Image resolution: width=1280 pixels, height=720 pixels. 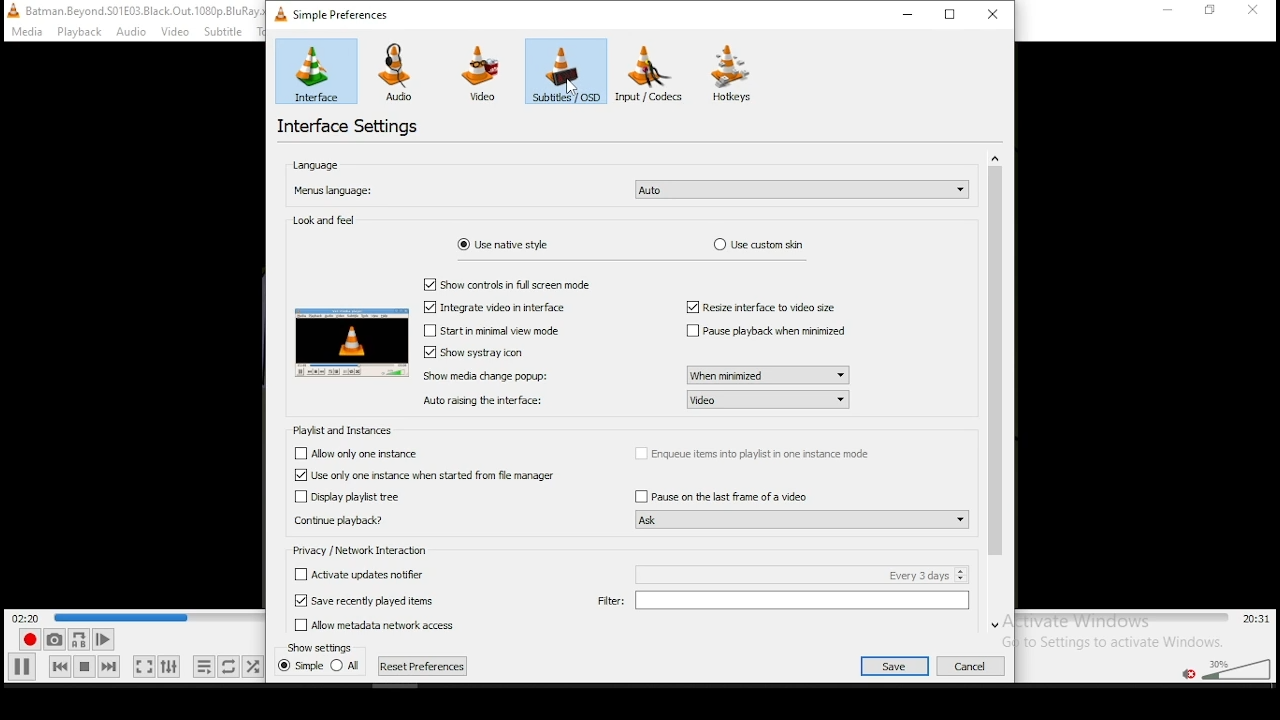 What do you see at coordinates (996, 13) in the screenshot?
I see `close window` at bounding box center [996, 13].